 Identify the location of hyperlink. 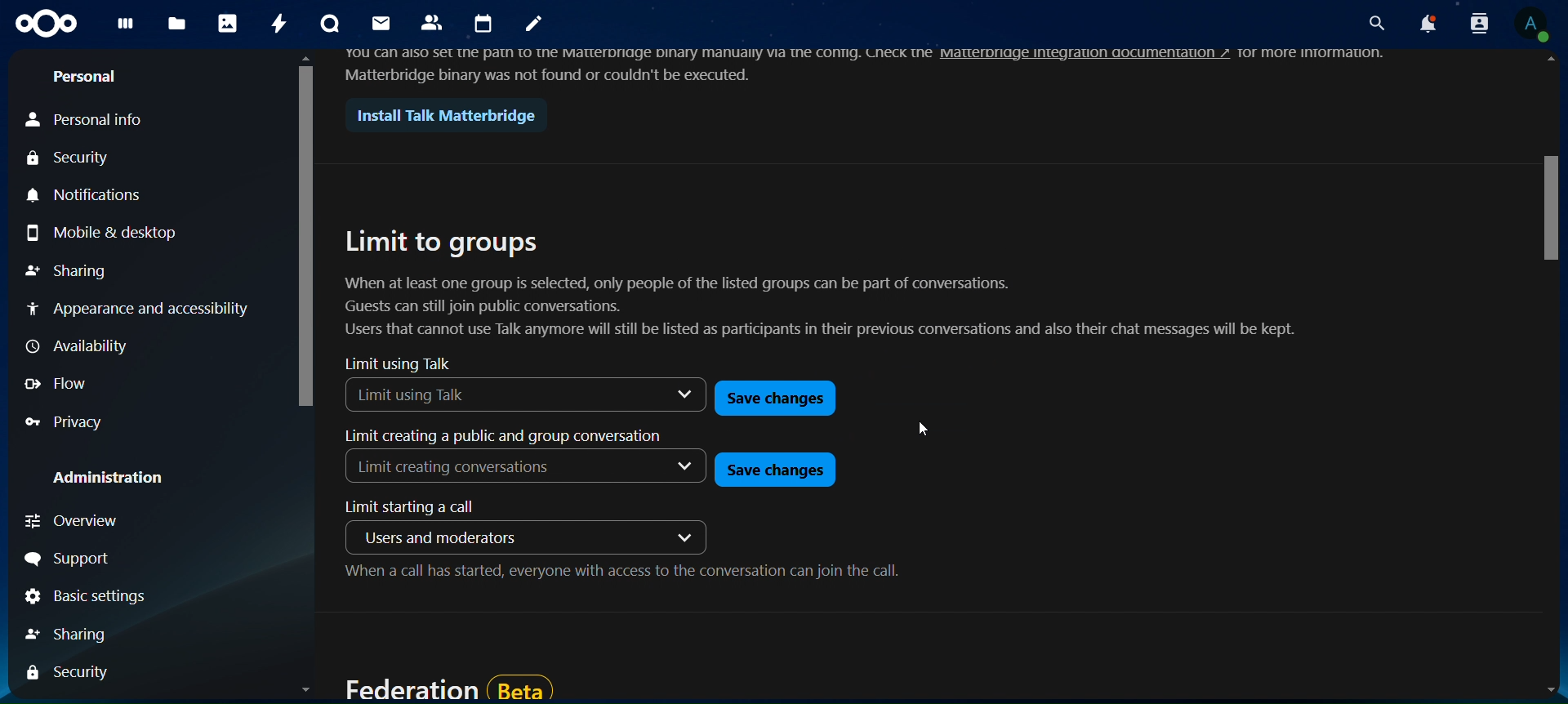
(1086, 53).